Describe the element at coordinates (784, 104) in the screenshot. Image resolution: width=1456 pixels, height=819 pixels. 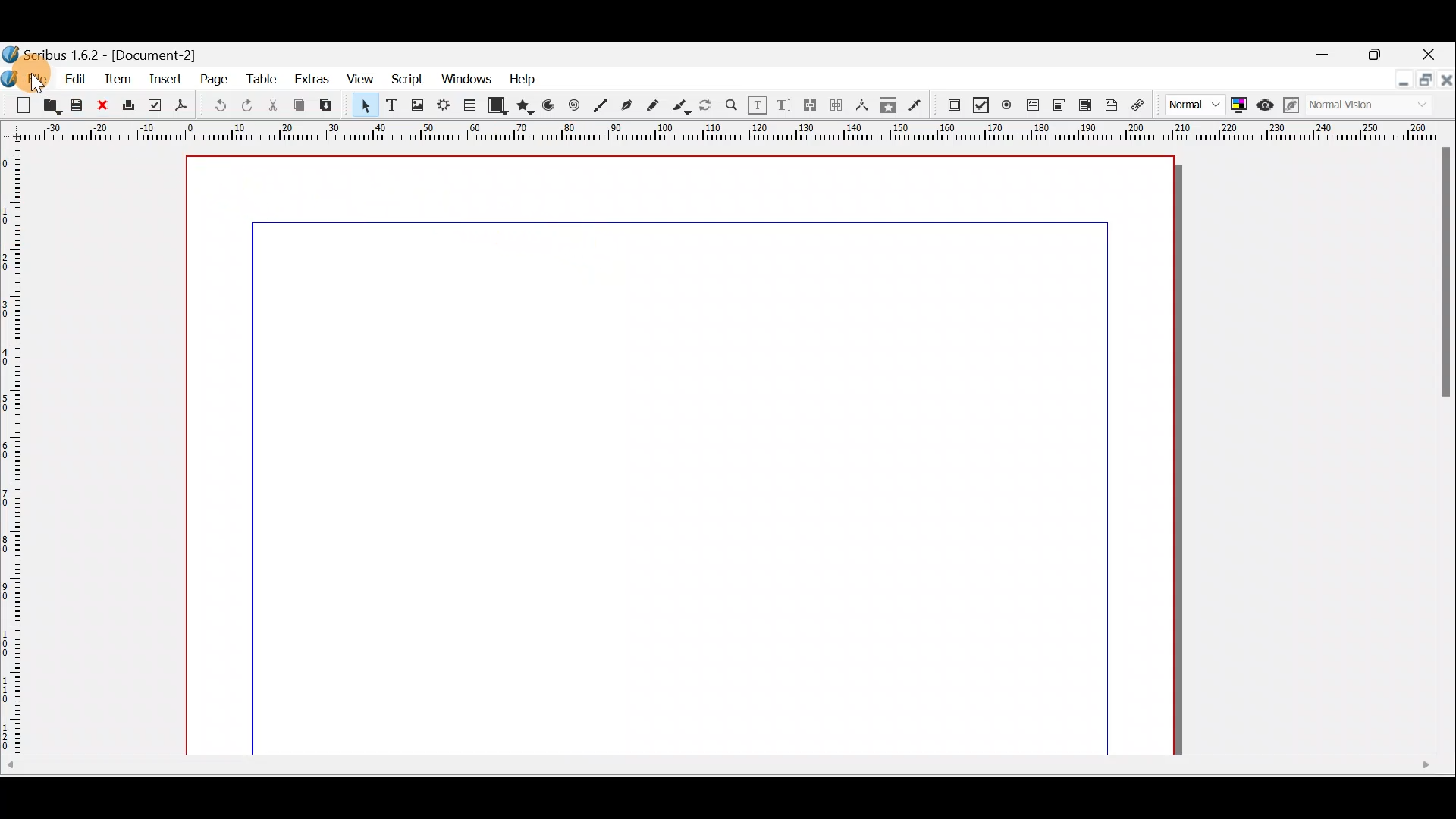
I see `Edit text with story editor` at that location.